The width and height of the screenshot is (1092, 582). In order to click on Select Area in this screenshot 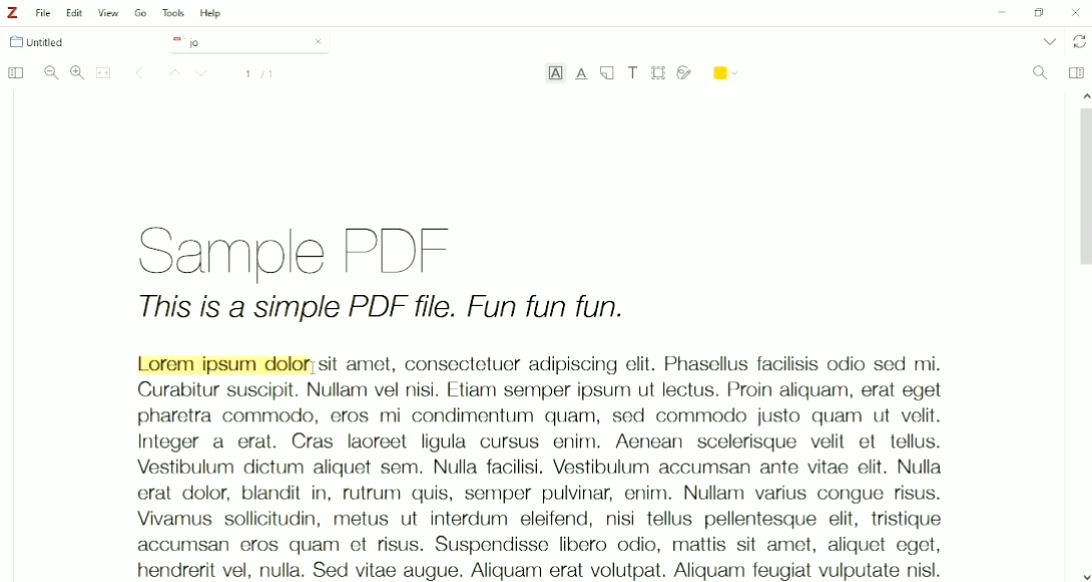, I will do `click(659, 72)`.